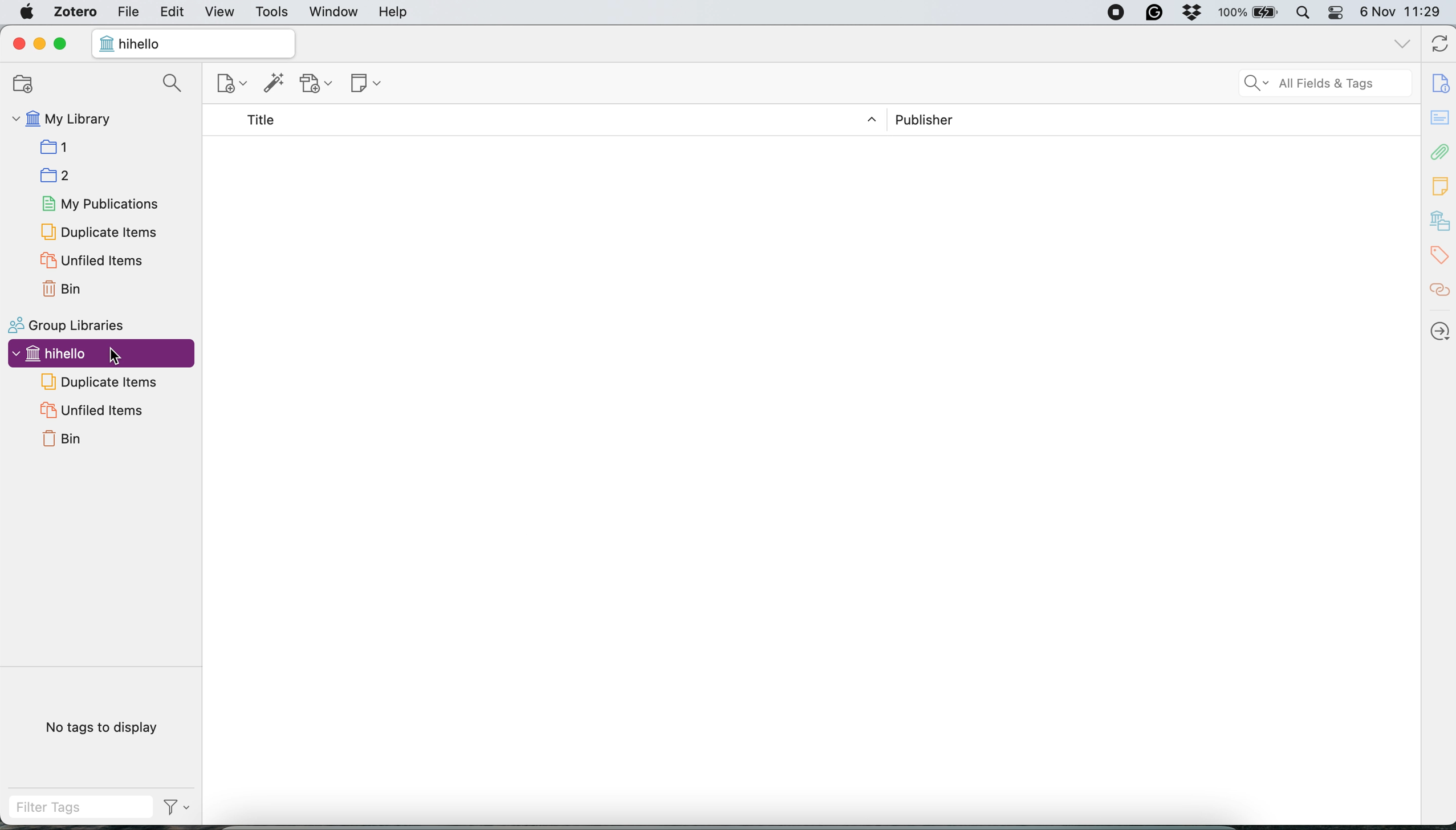 This screenshot has height=830, width=1456. I want to click on maximise, so click(65, 44).